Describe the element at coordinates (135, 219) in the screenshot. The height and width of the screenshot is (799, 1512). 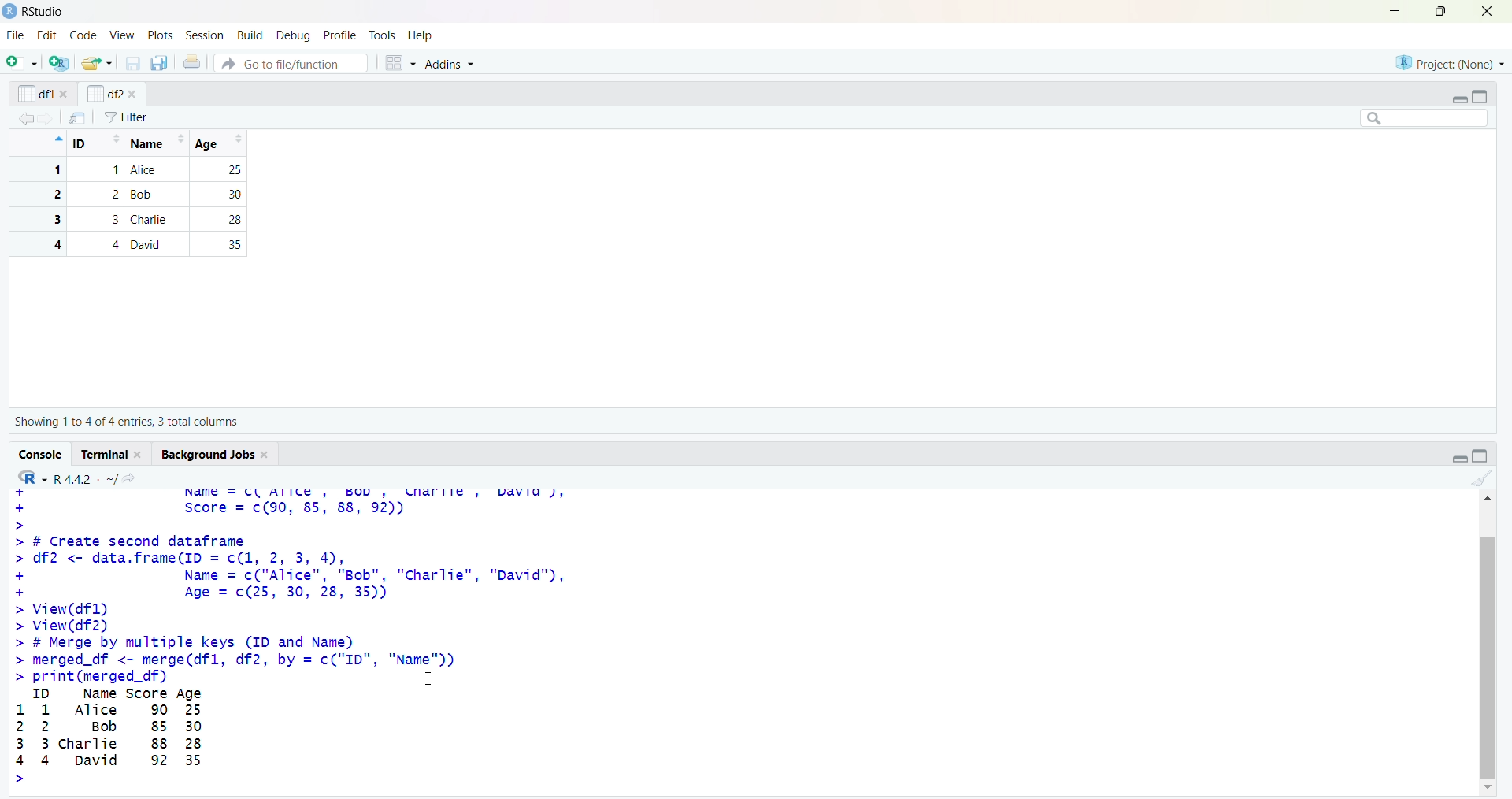
I see `3 3 Charlie 28` at that location.